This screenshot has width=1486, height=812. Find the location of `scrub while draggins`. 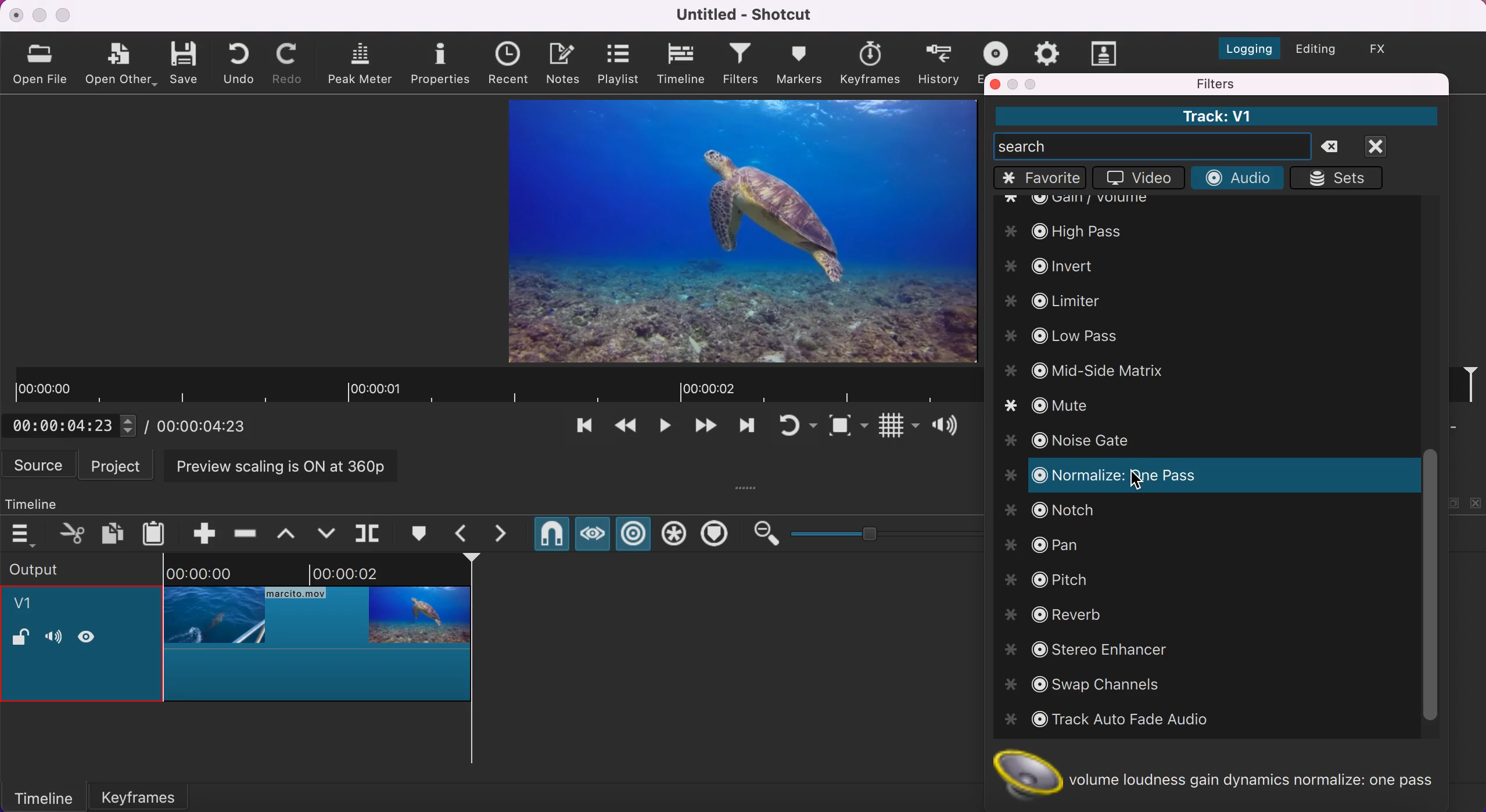

scrub while draggins is located at coordinates (591, 537).